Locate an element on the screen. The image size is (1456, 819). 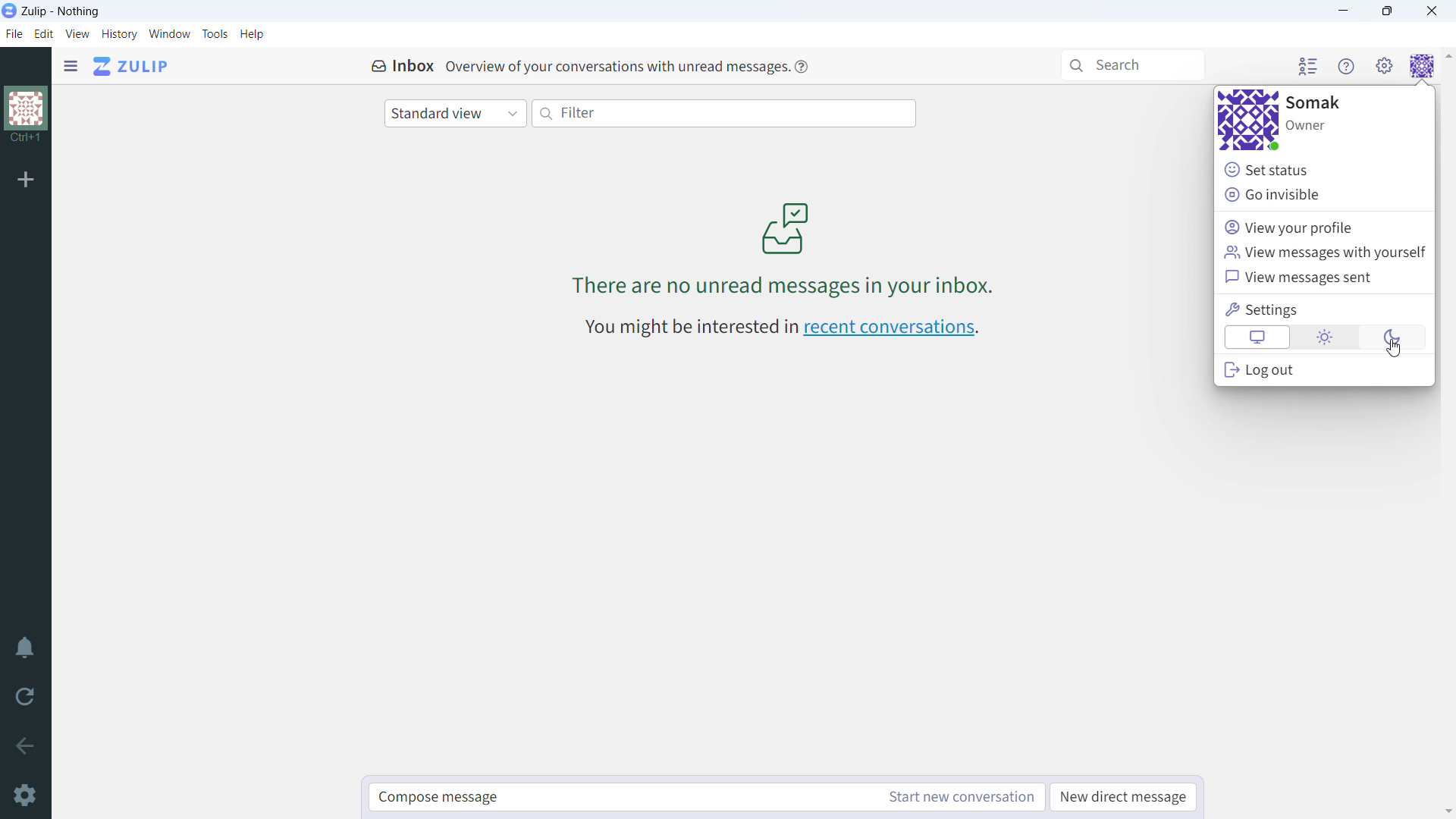
reload is located at coordinates (23, 700).